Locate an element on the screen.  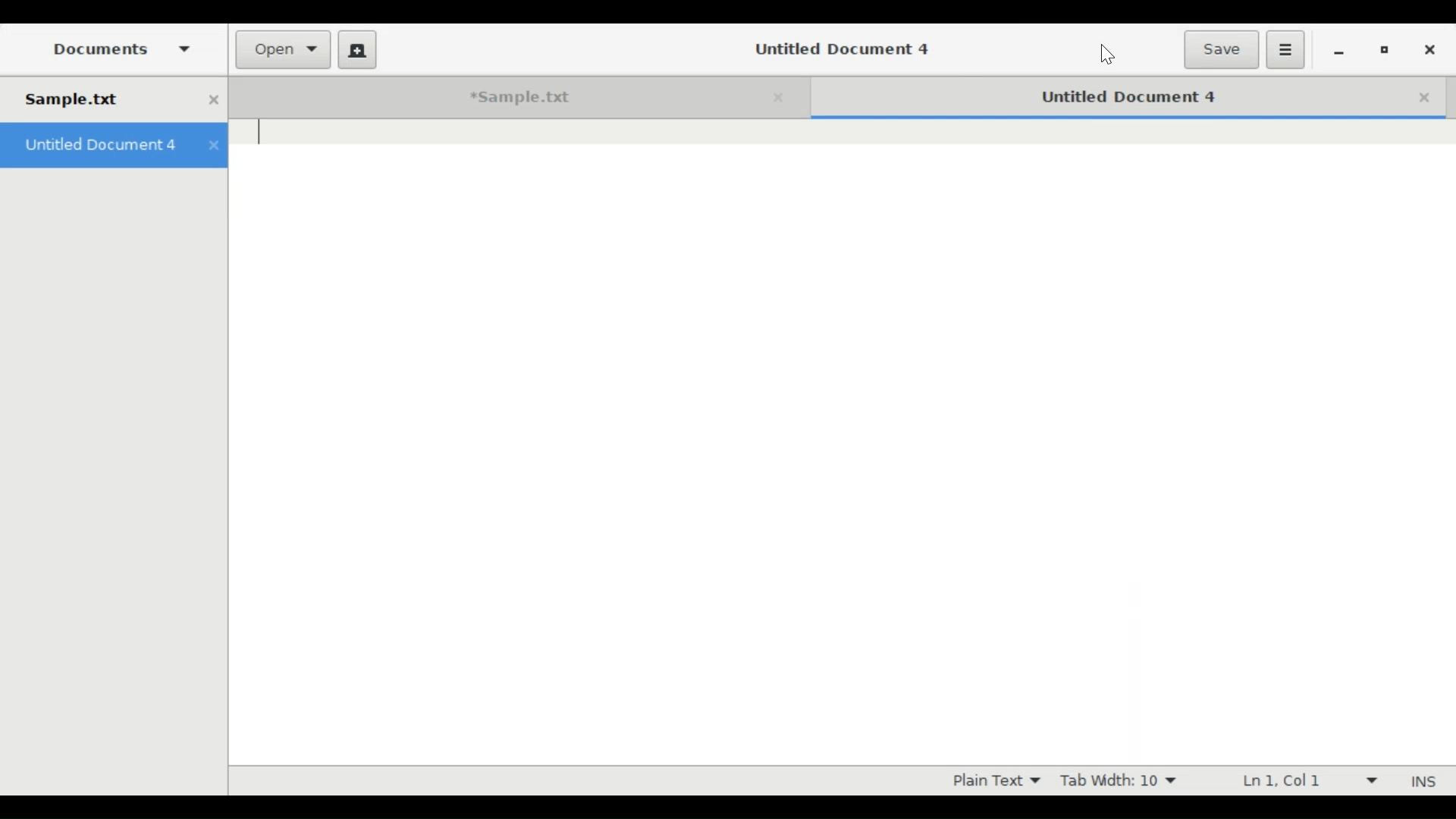
Close is located at coordinates (1432, 52).